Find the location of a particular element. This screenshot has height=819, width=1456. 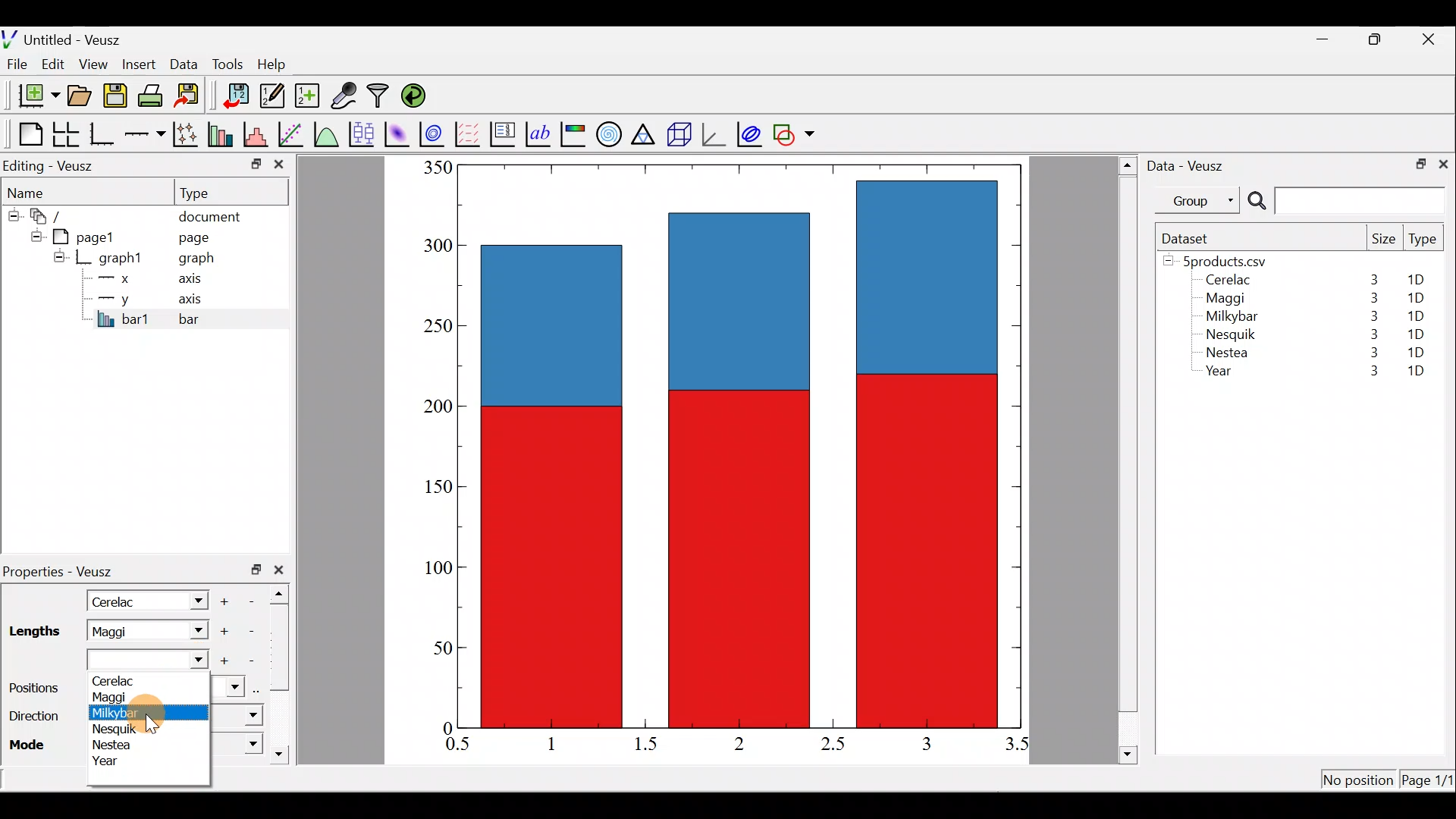

Plot bar charts is located at coordinates (222, 133).